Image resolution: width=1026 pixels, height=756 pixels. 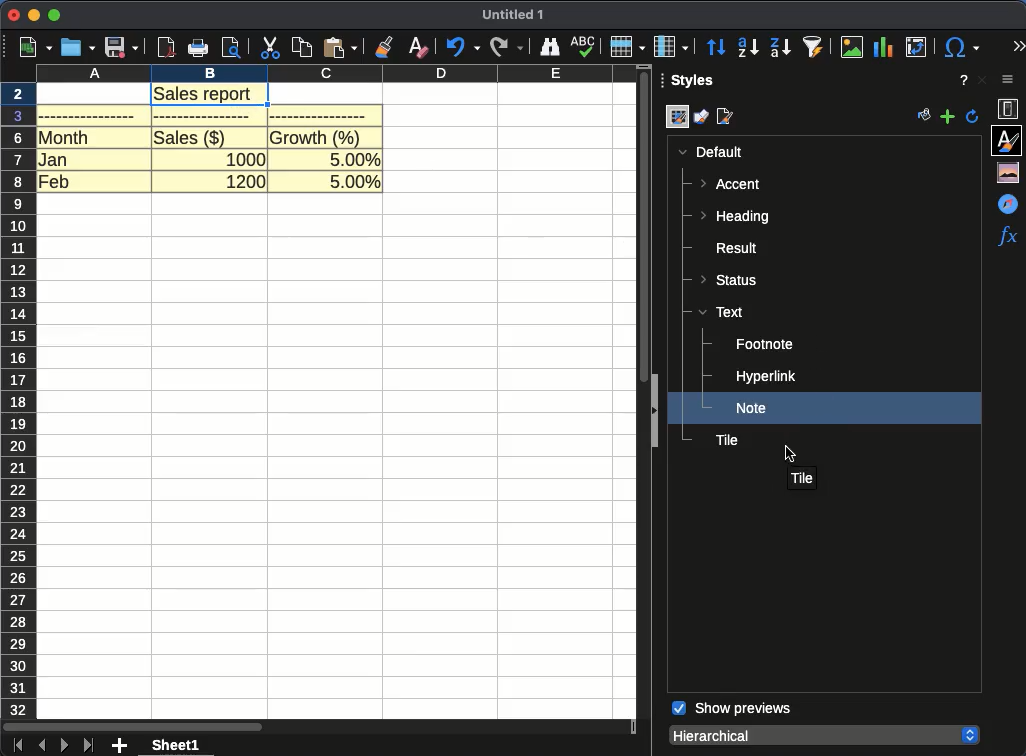 I want to click on tile, so click(x=726, y=440).